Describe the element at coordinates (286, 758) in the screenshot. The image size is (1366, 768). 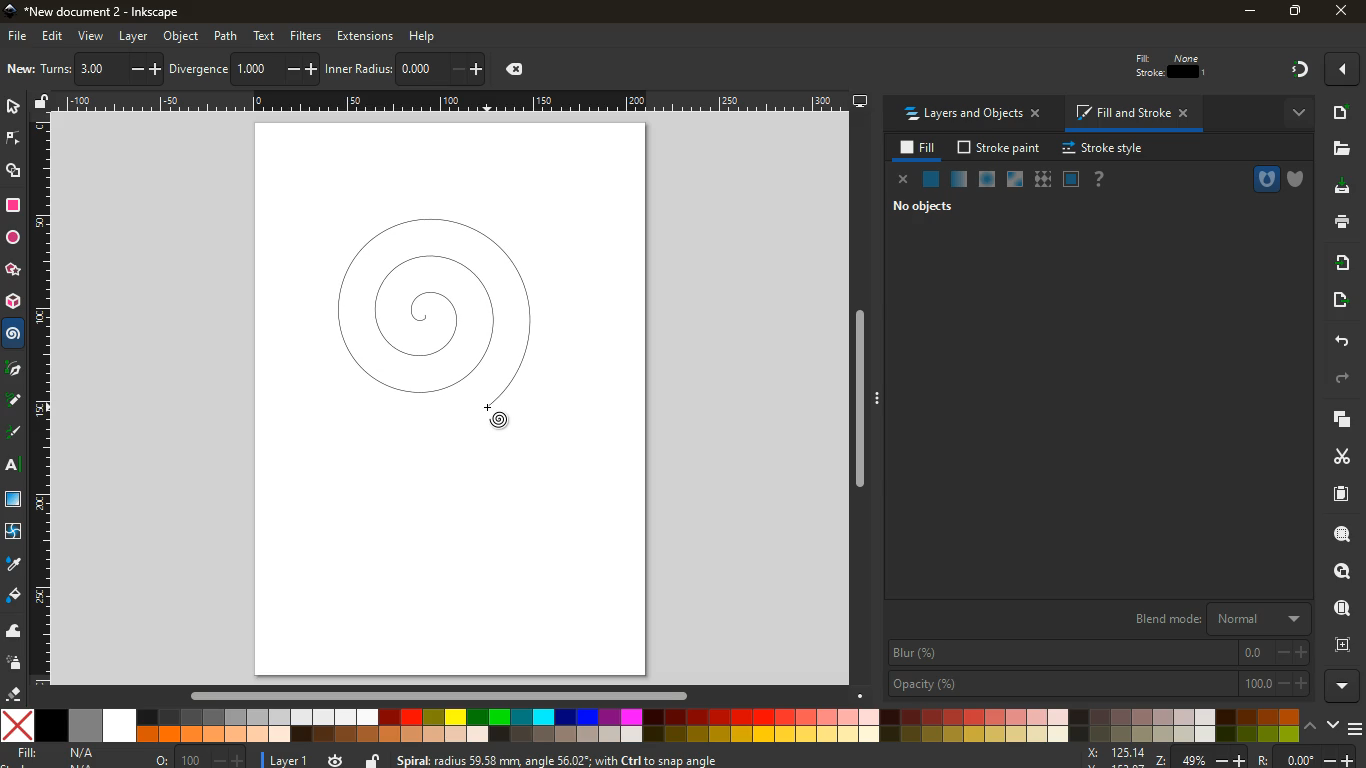
I see `layer` at that location.